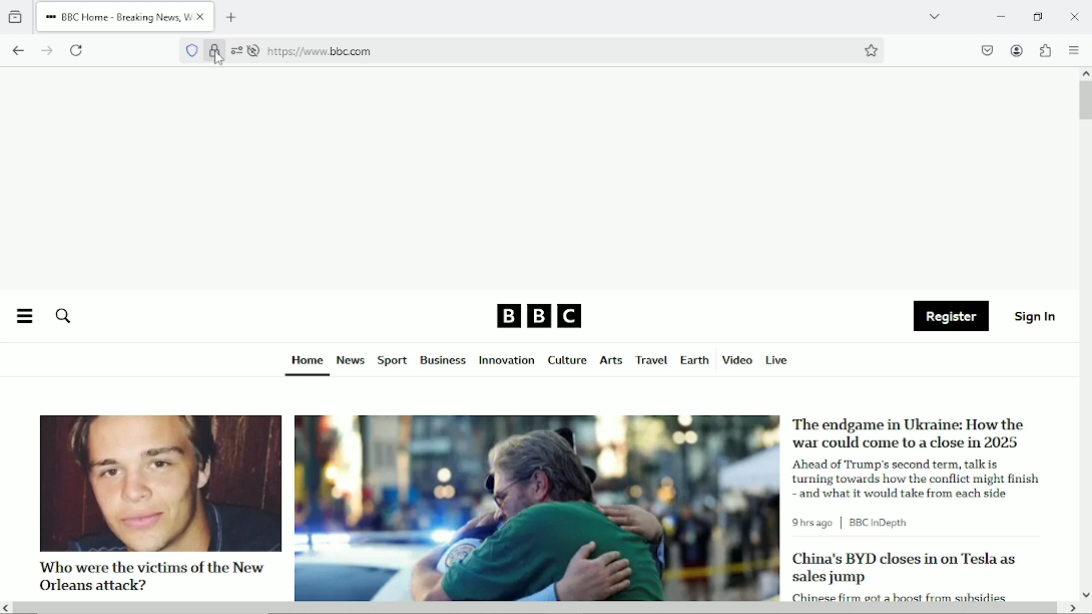  What do you see at coordinates (999, 16) in the screenshot?
I see `Minimize` at bounding box center [999, 16].